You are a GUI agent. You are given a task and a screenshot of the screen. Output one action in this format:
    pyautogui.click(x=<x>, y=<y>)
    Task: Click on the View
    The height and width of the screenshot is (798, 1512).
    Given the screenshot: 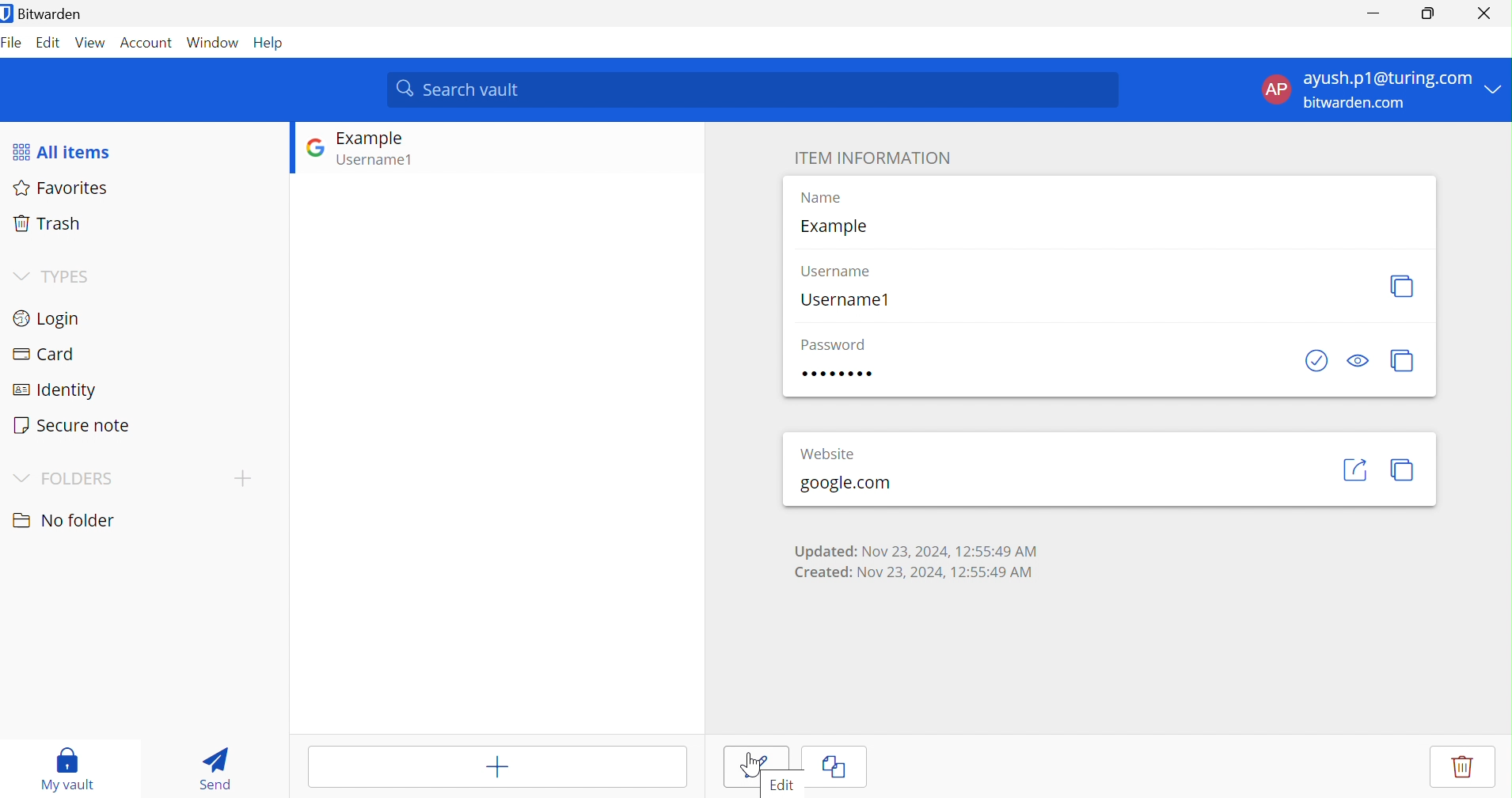 What is the action you would take?
    pyautogui.click(x=91, y=42)
    